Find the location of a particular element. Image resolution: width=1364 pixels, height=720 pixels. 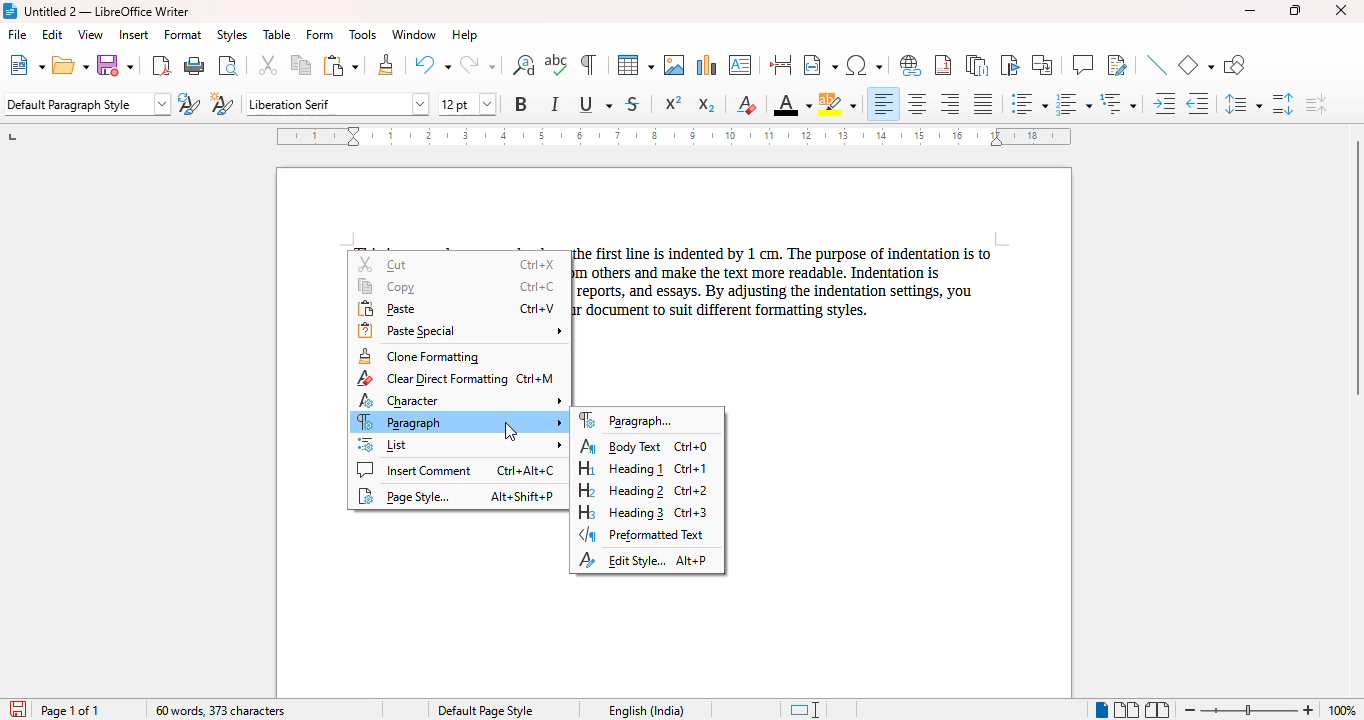

clear direct formatting is located at coordinates (746, 104).